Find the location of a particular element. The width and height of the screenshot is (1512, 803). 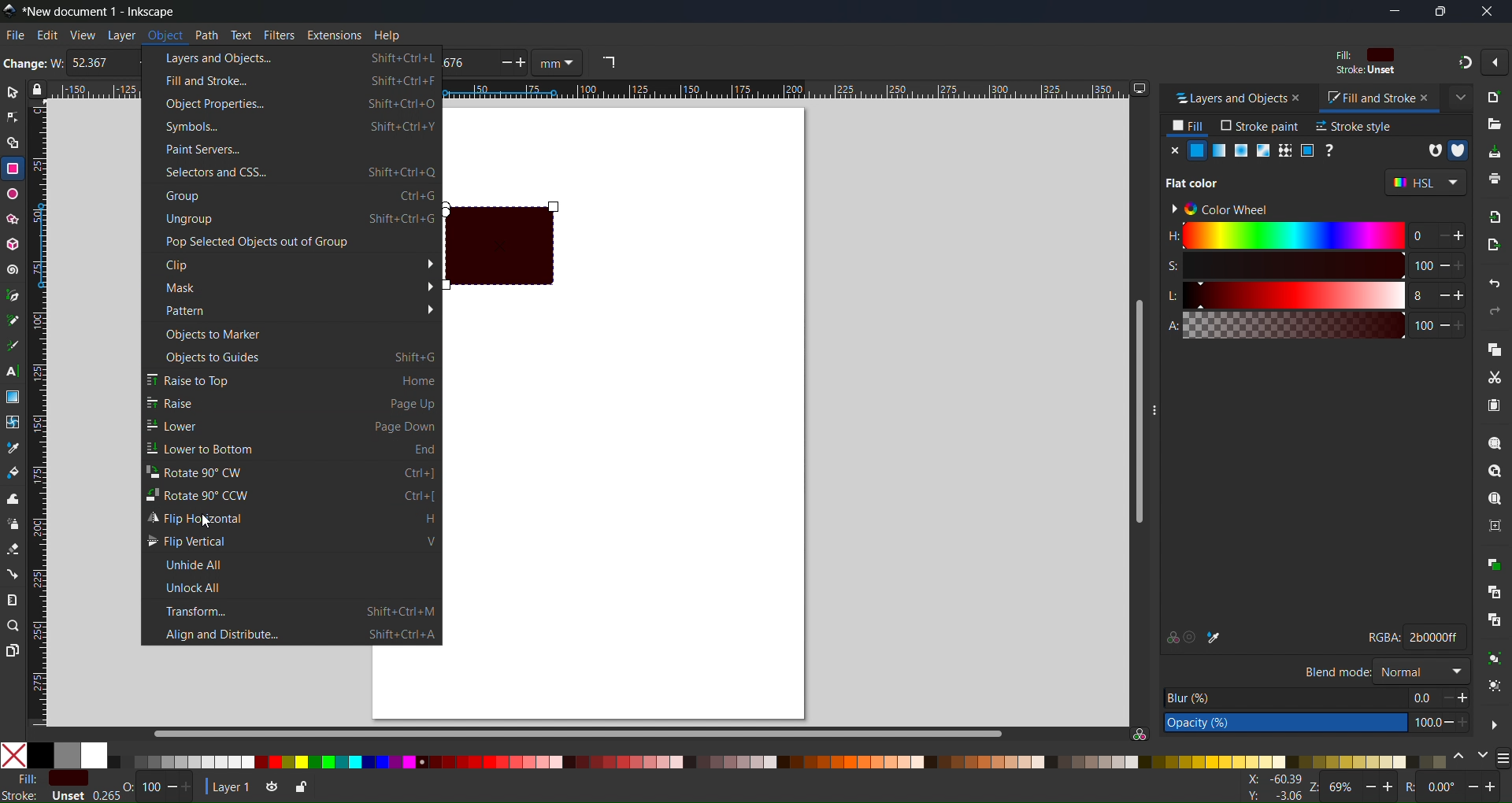

File is located at coordinates (14, 35).